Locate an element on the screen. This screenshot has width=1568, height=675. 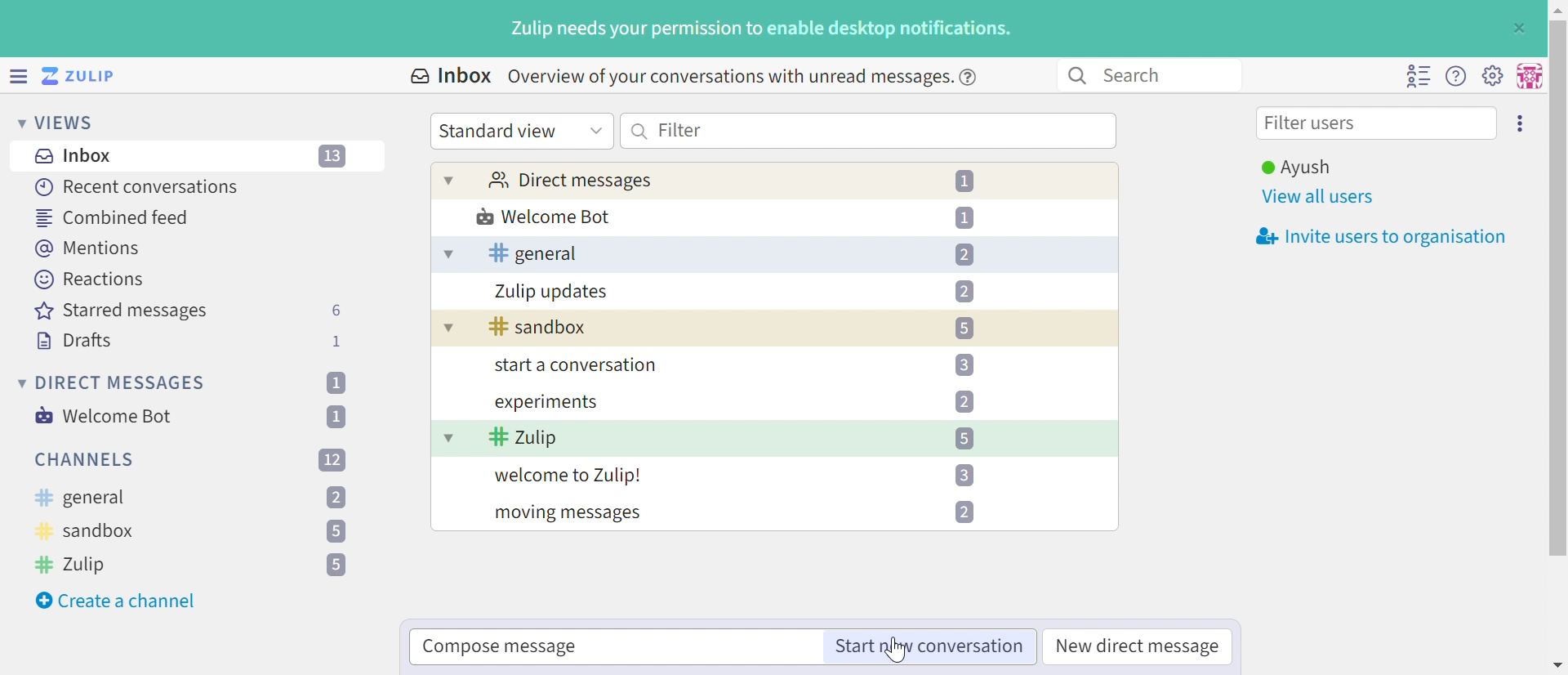
Main menu is located at coordinates (1492, 74).